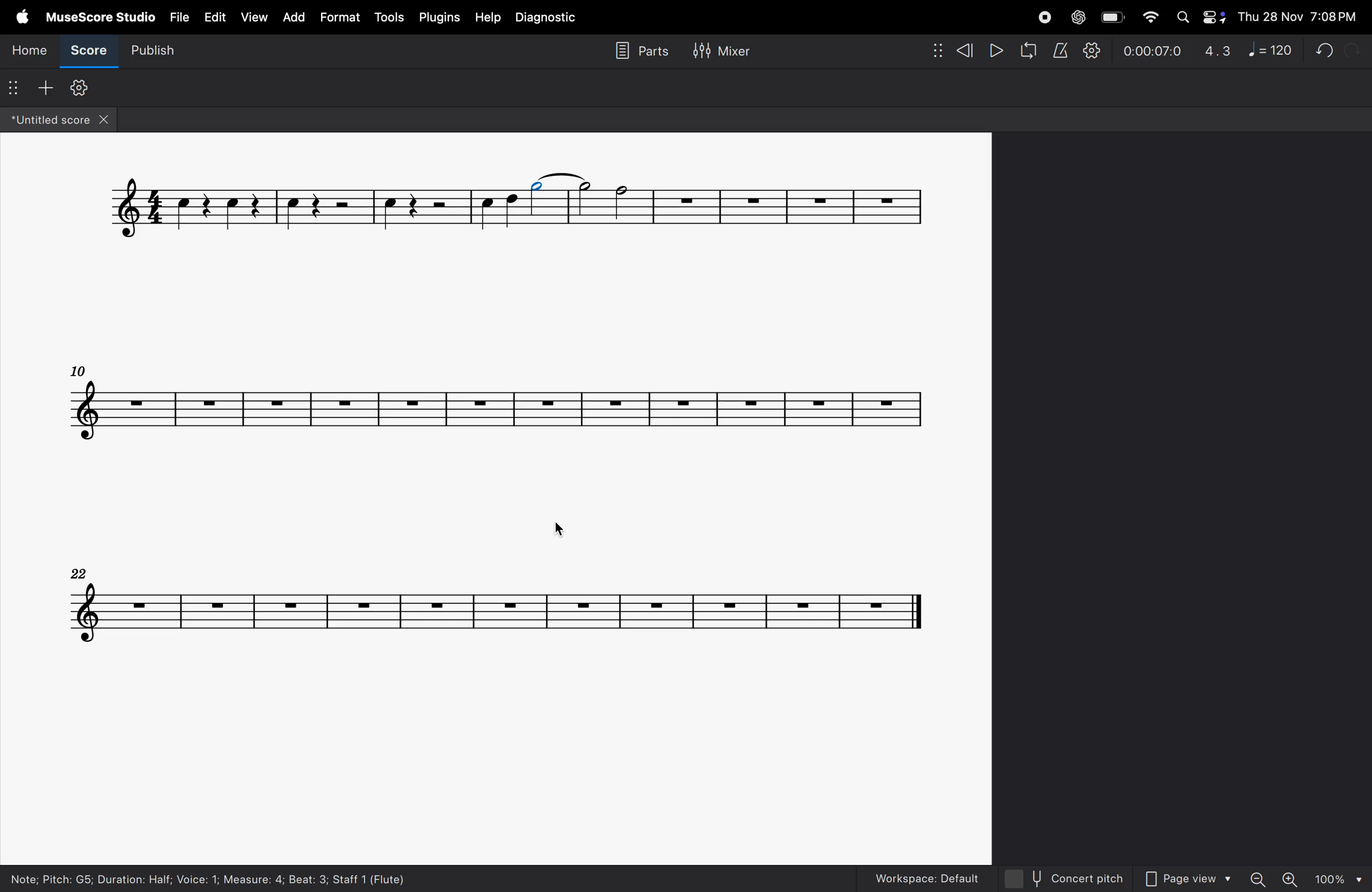 The height and width of the screenshot is (892, 1372). What do you see at coordinates (1152, 48) in the screenshot?
I see `0.00.07.0` at bounding box center [1152, 48].